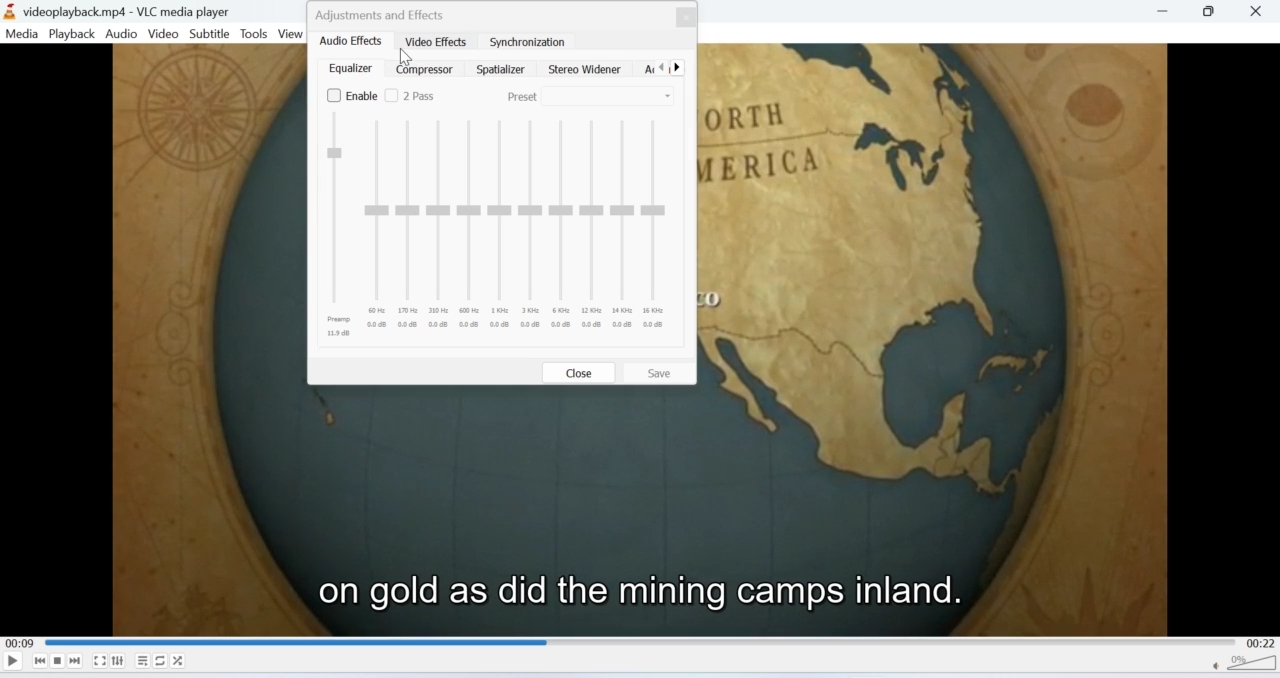 This screenshot has width=1280, height=678. Describe the element at coordinates (1208, 11) in the screenshot. I see `Minimise` at that location.